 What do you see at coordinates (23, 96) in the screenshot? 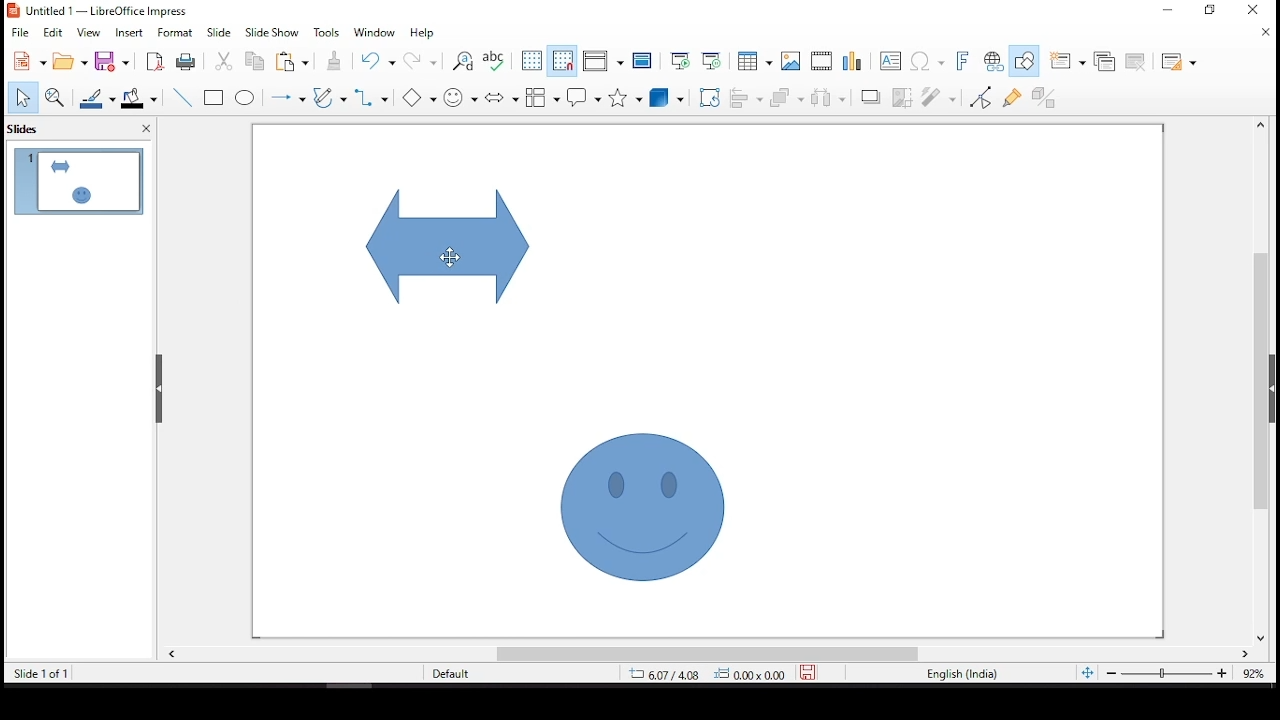
I see `select tool` at bounding box center [23, 96].